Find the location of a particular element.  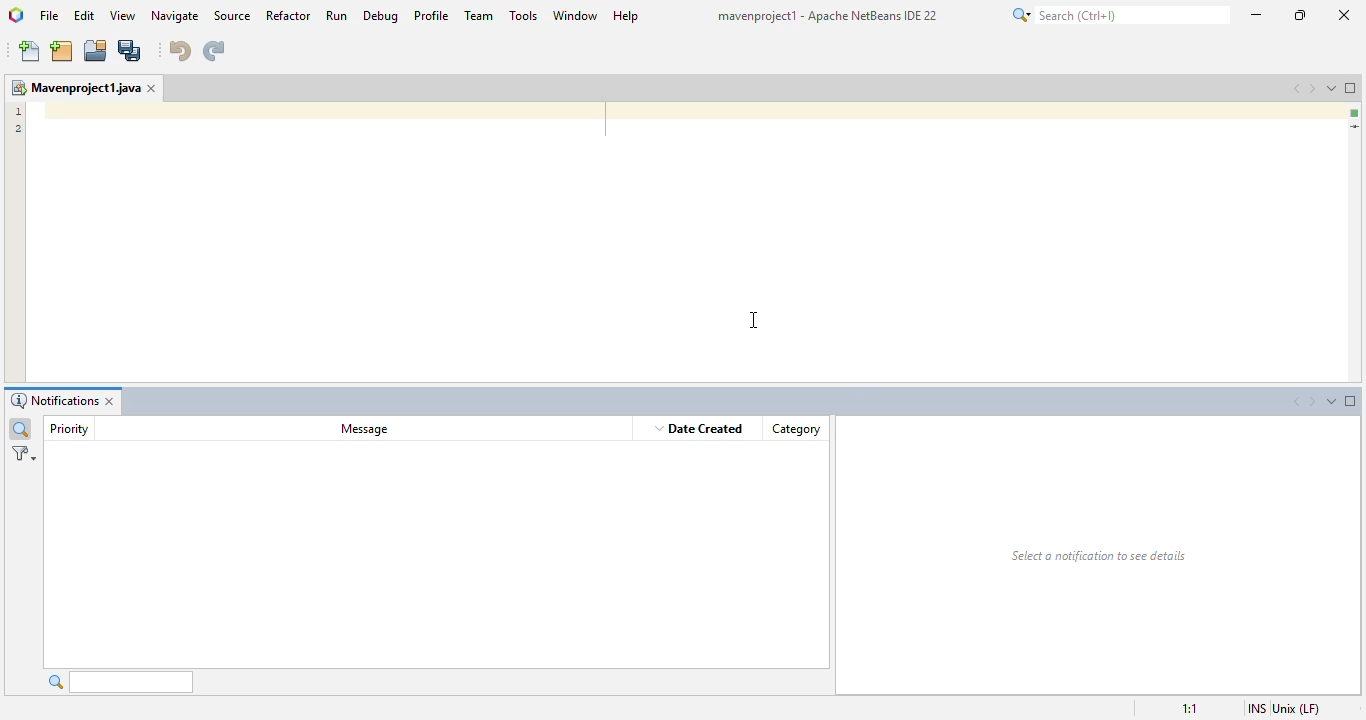

window is located at coordinates (576, 15).